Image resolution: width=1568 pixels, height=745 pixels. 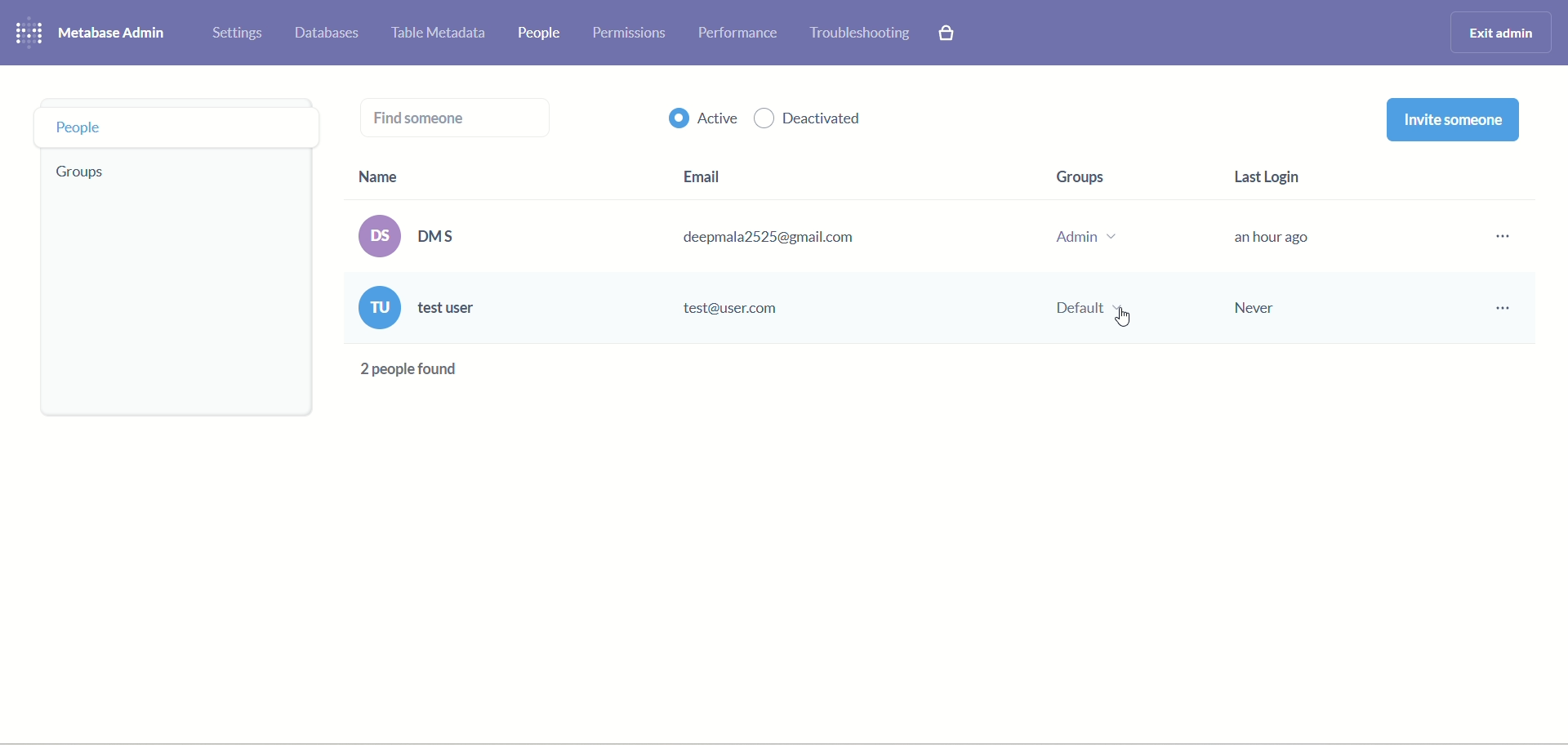 I want to click on performance, so click(x=742, y=33).